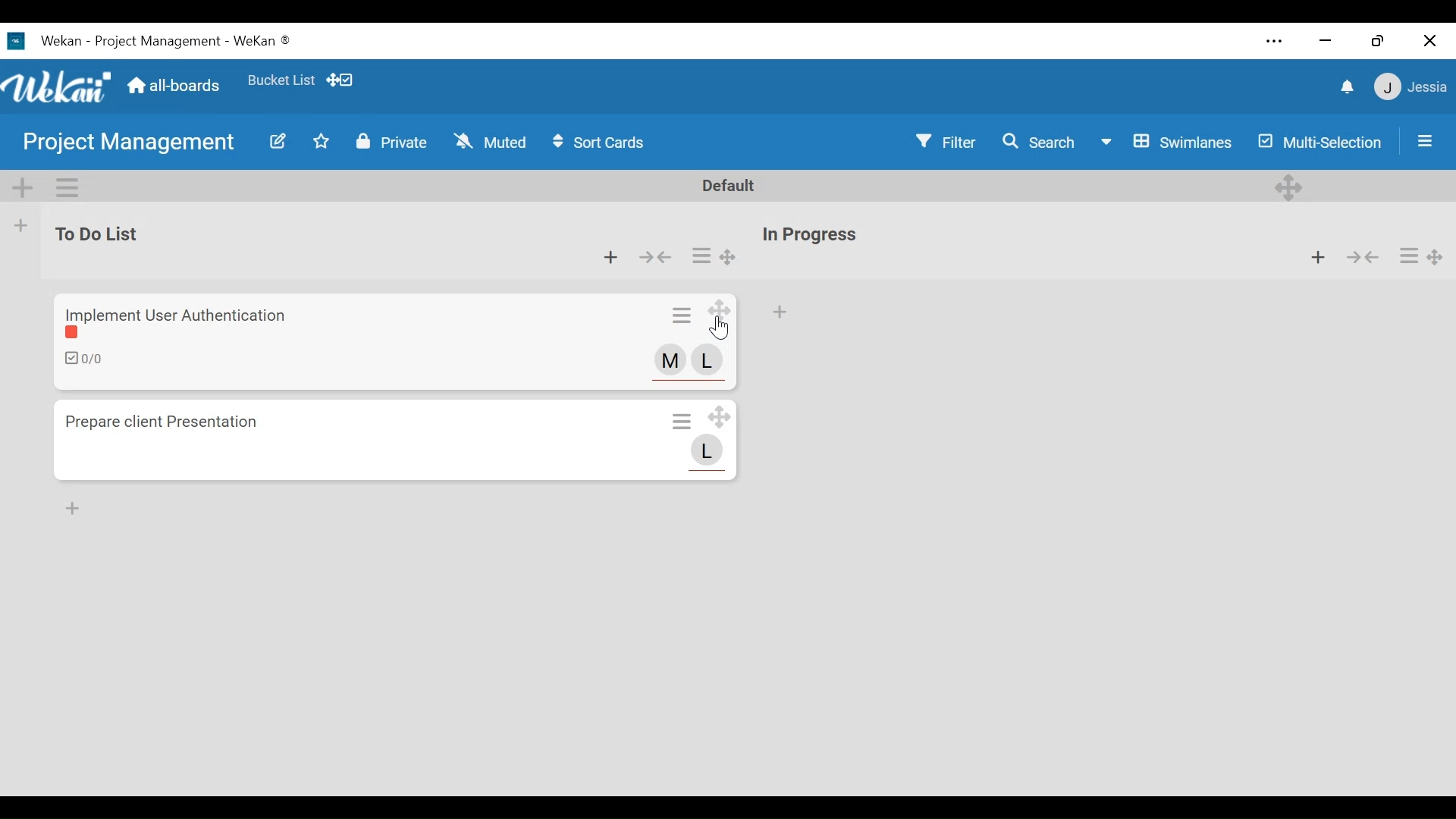  Describe the element at coordinates (1317, 257) in the screenshot. I see `Add card to top of the list` at that location.